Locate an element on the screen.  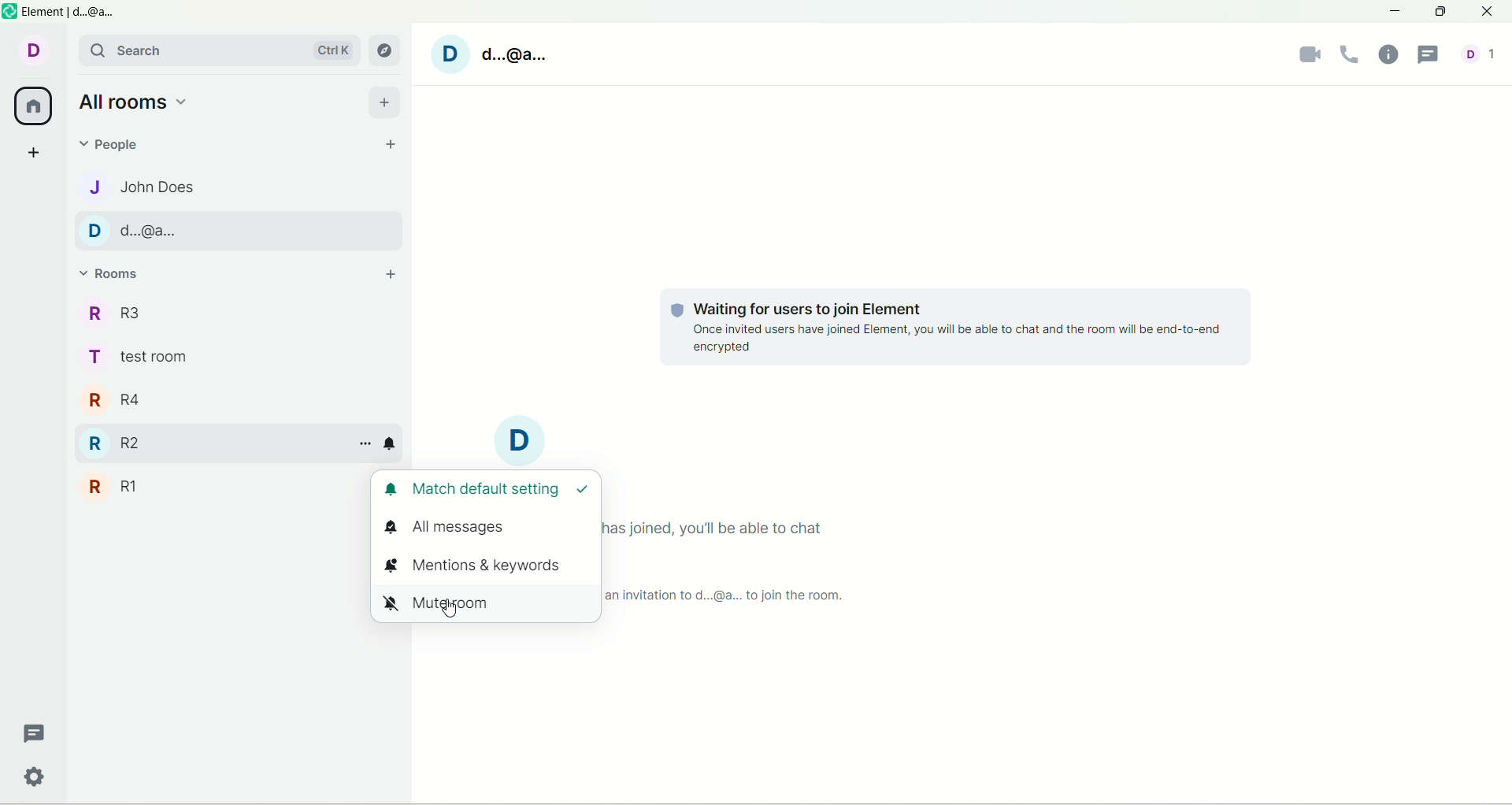
room info is located at coordinates (1387, 57).